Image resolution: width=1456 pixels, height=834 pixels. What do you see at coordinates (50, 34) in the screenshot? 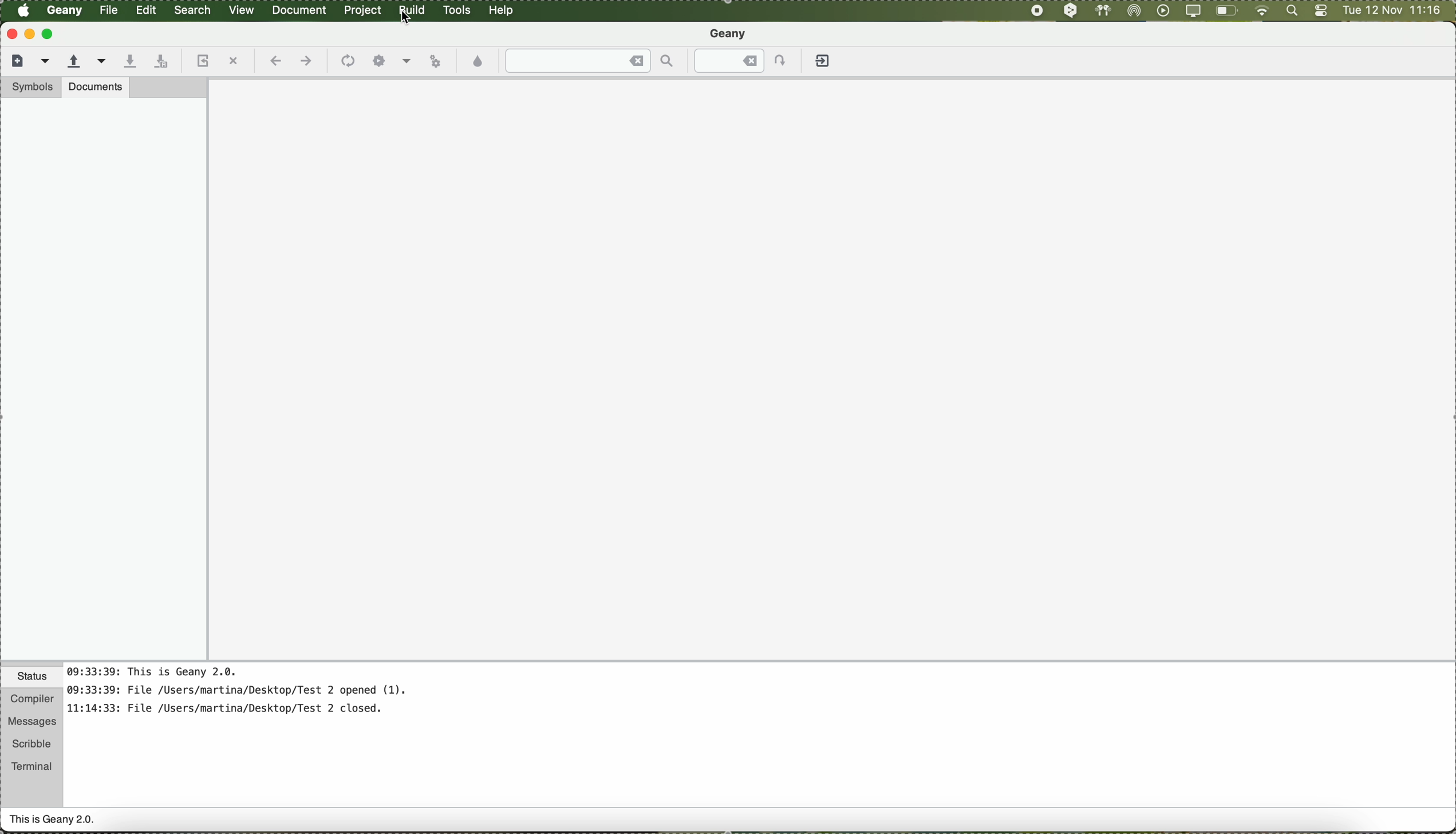
I see `maximize` at bounding box center [50, 34].